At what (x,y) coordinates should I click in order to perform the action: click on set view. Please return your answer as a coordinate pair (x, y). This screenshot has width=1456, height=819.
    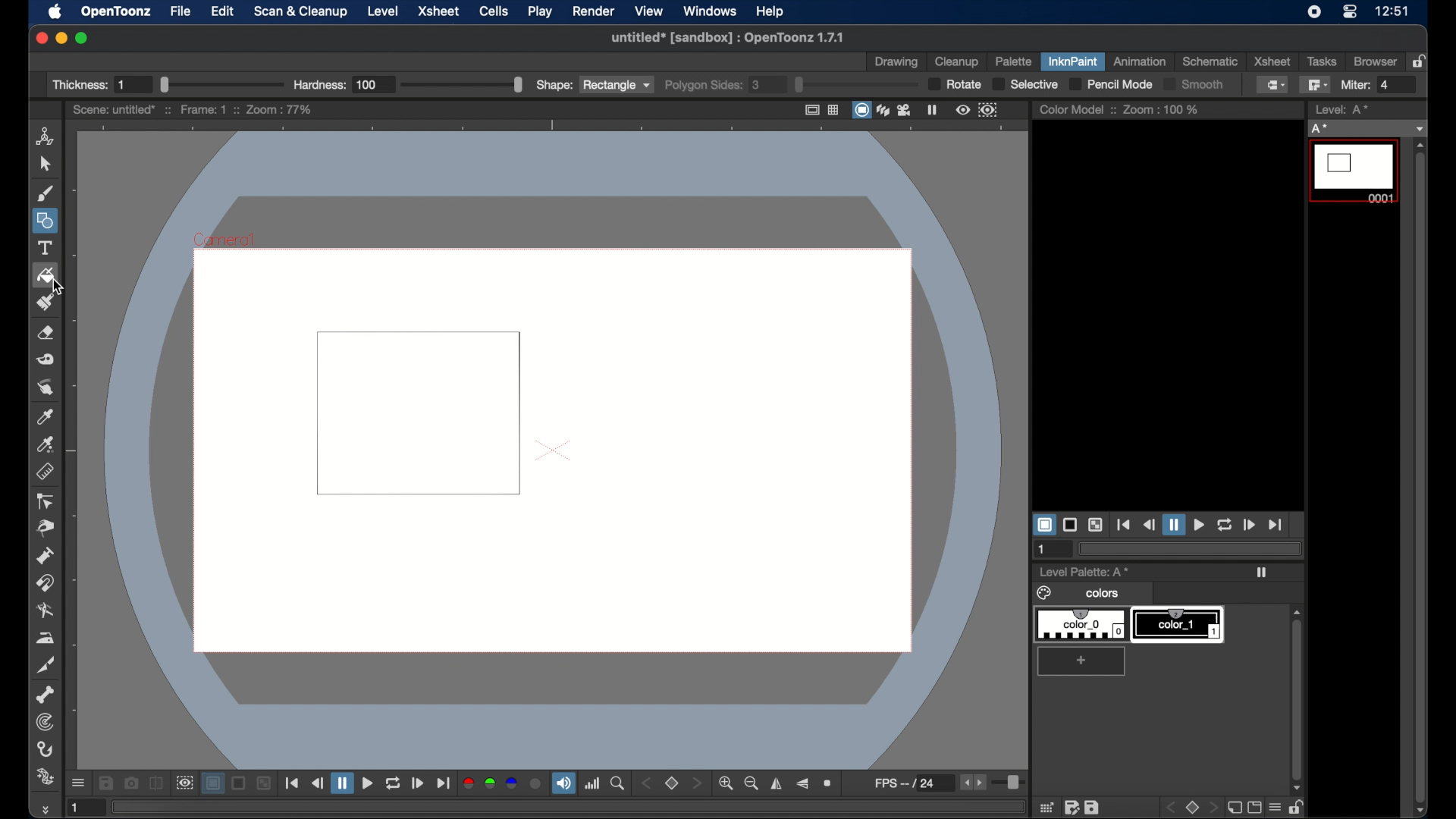
    Looking at the image, I should click on (672, 784).